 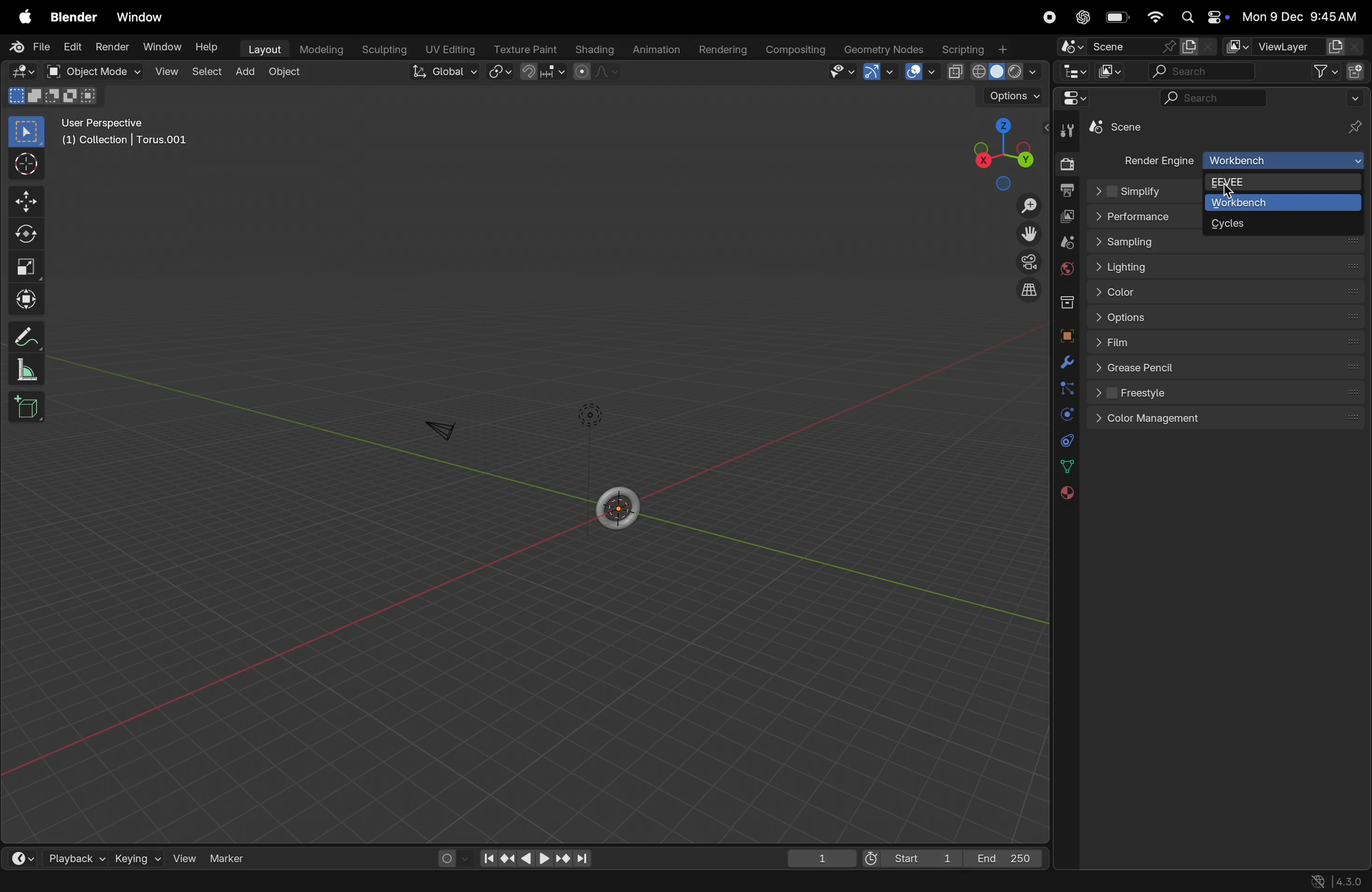 What do you see at coordinates (1227, 290) in the screenshot?
I see `color` at bounding box center [1227, 290].